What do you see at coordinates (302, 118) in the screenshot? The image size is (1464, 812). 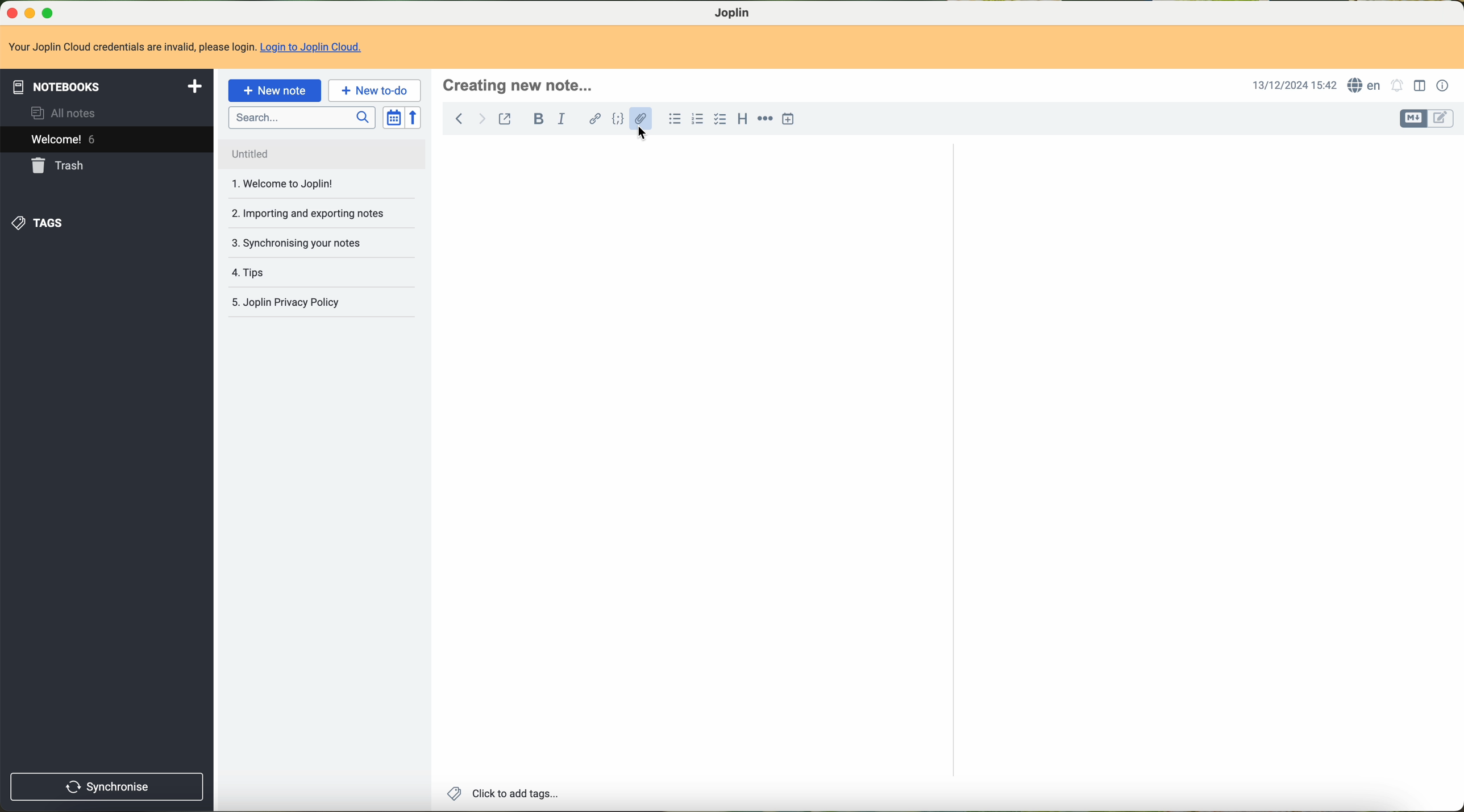 I see `search bar` at bounding box center [302, 118].